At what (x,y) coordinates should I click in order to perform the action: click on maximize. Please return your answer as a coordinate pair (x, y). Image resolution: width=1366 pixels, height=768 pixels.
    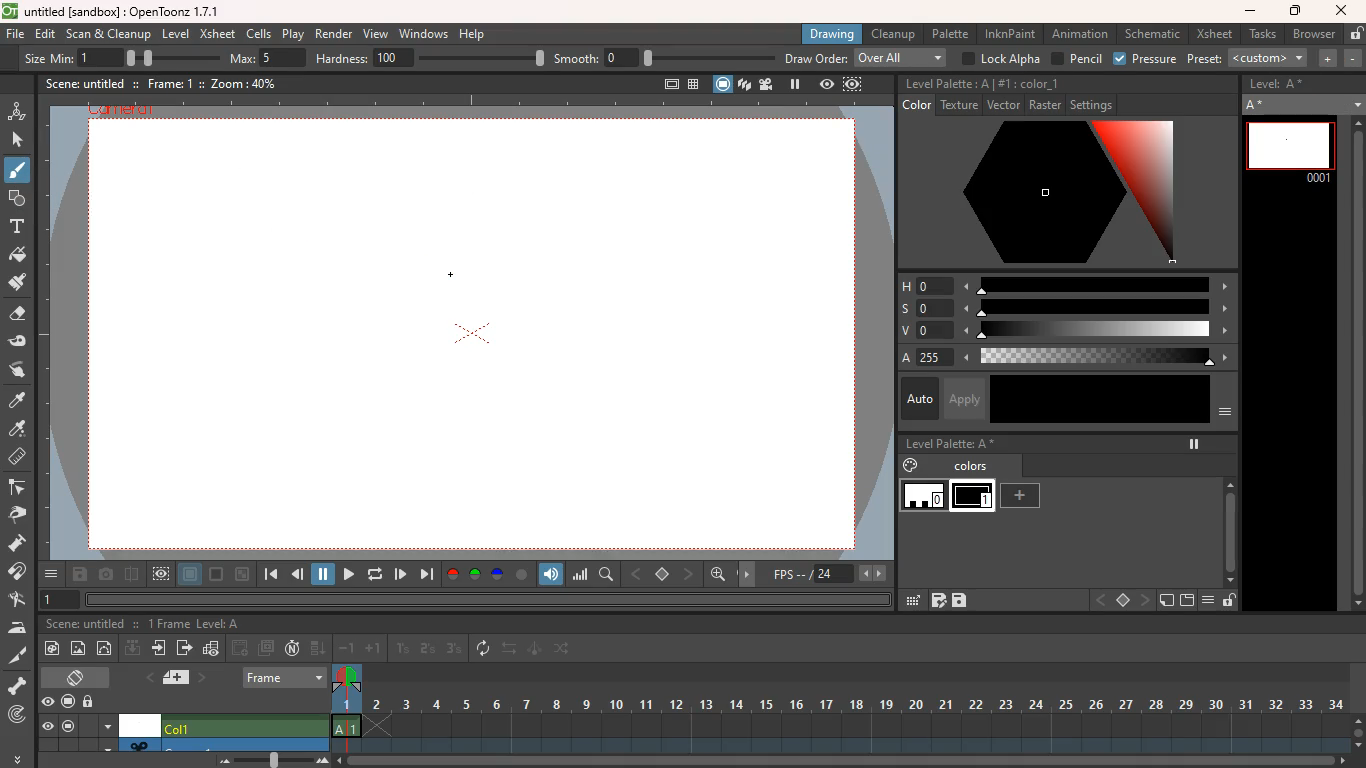
    Looking at the image, I should click on (1297, 11).